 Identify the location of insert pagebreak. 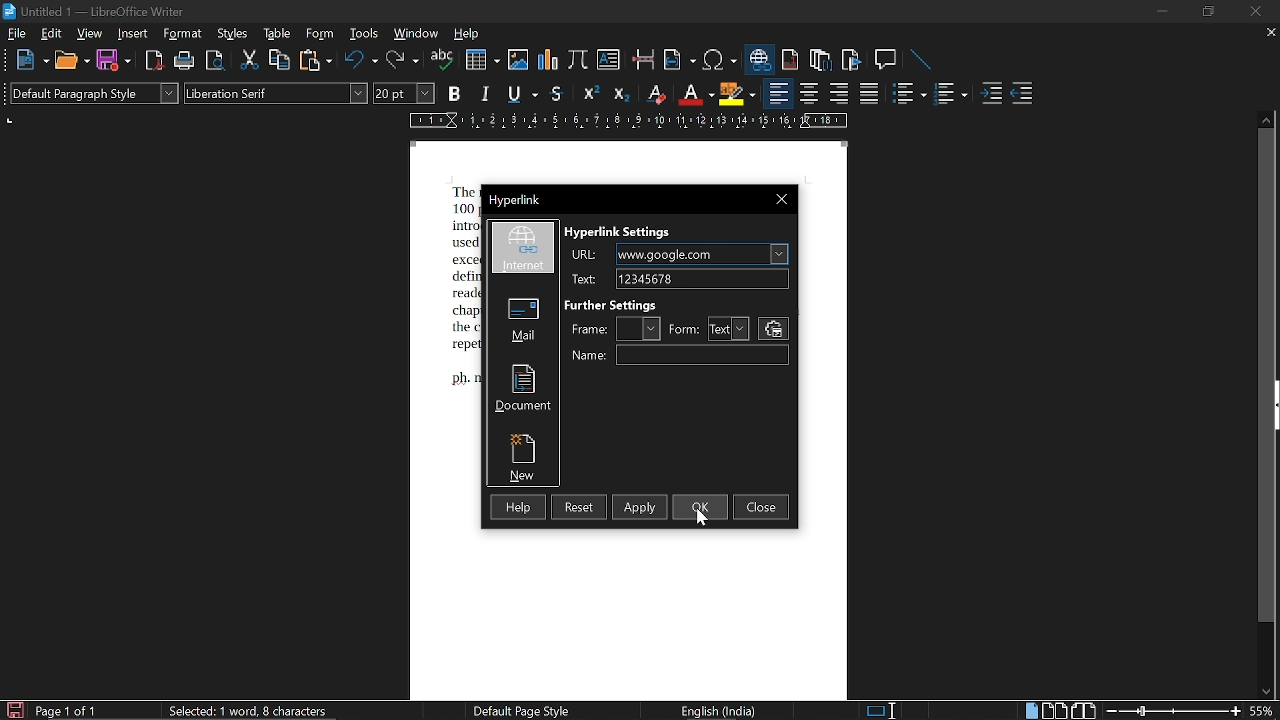
(642, 59).